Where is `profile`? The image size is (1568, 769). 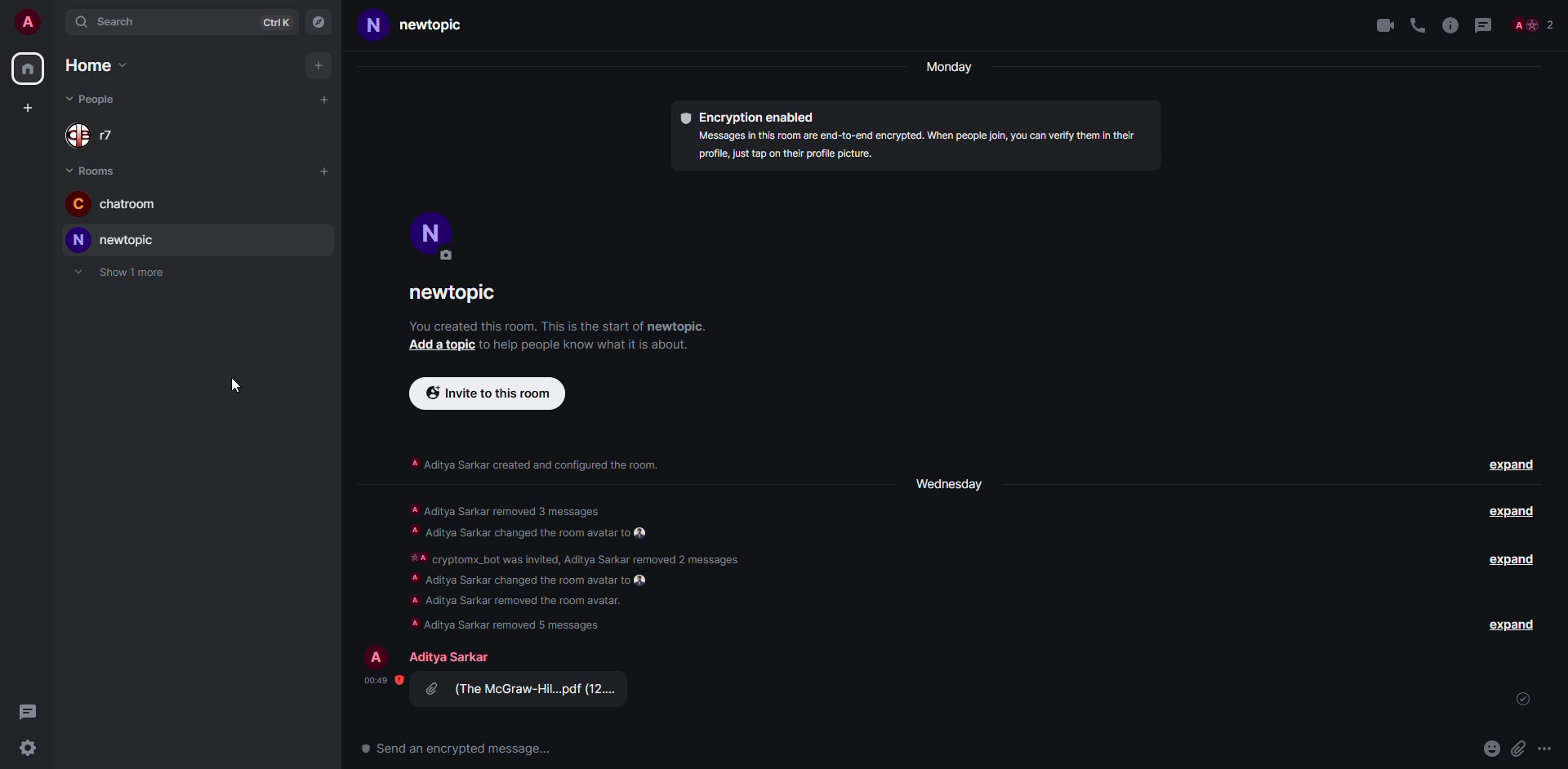
profile is located at coordinates (25, 21).